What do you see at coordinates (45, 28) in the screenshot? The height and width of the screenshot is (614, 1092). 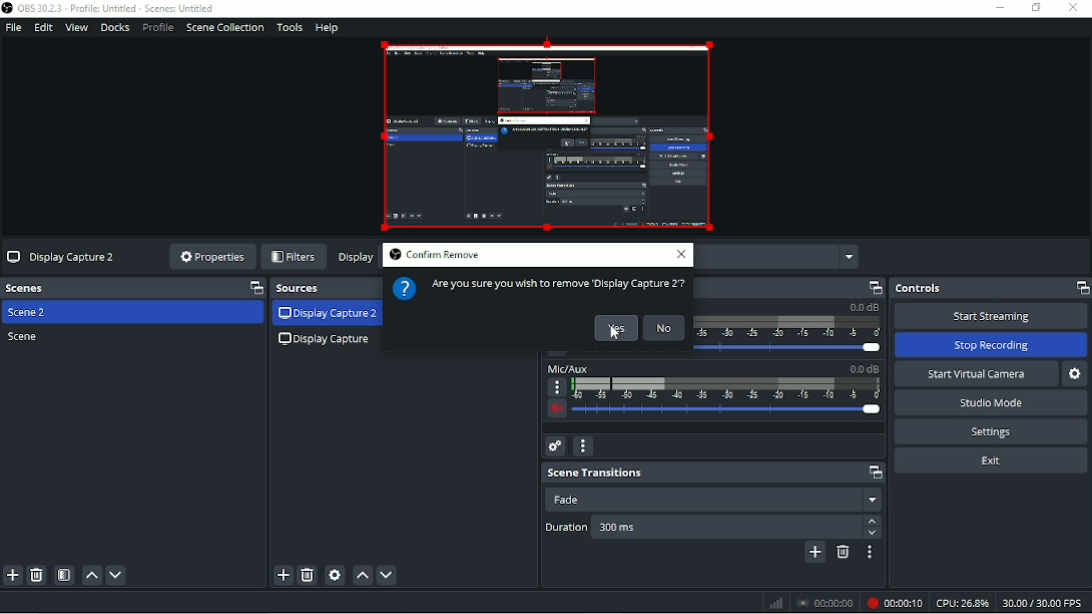 I see `Edit` at bounding box center [45, 28].